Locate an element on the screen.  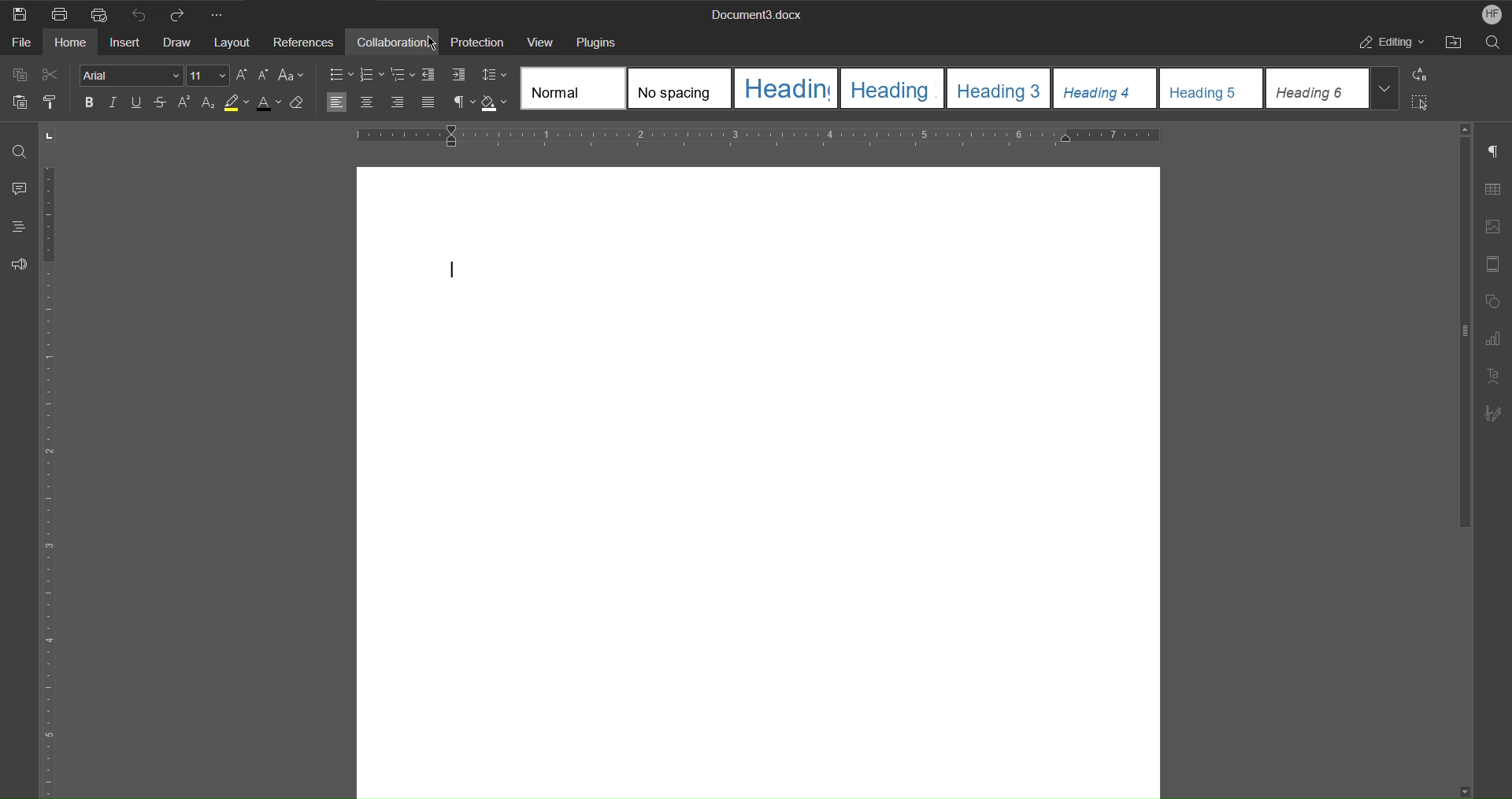
Cut  is located at coordinates (50, 75).